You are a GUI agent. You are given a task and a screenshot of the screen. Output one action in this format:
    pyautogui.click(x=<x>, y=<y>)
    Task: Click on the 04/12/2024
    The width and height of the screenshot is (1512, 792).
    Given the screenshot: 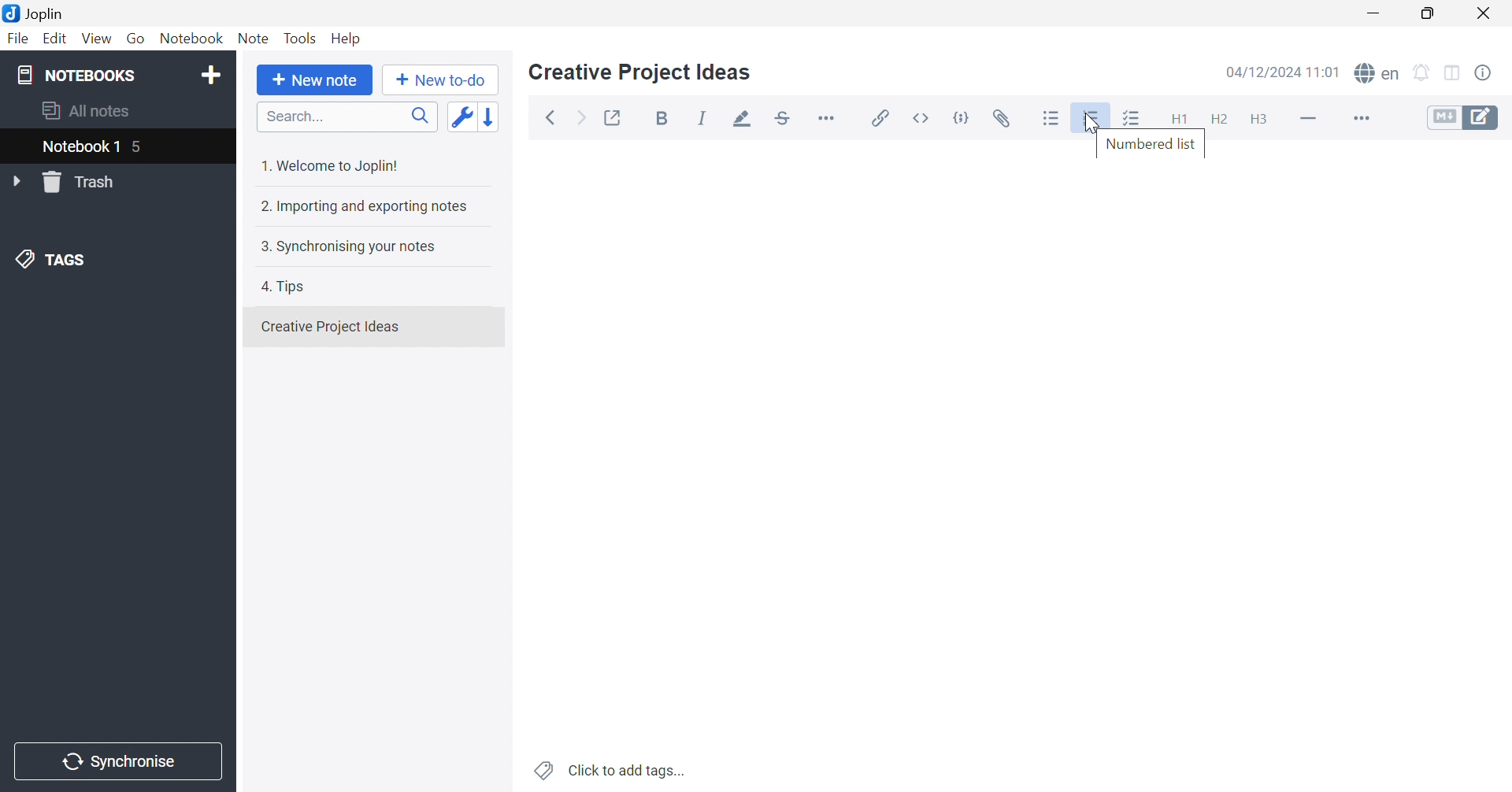 What is the action you would take?
    pyautogui.click(x=1280, y=72)
    